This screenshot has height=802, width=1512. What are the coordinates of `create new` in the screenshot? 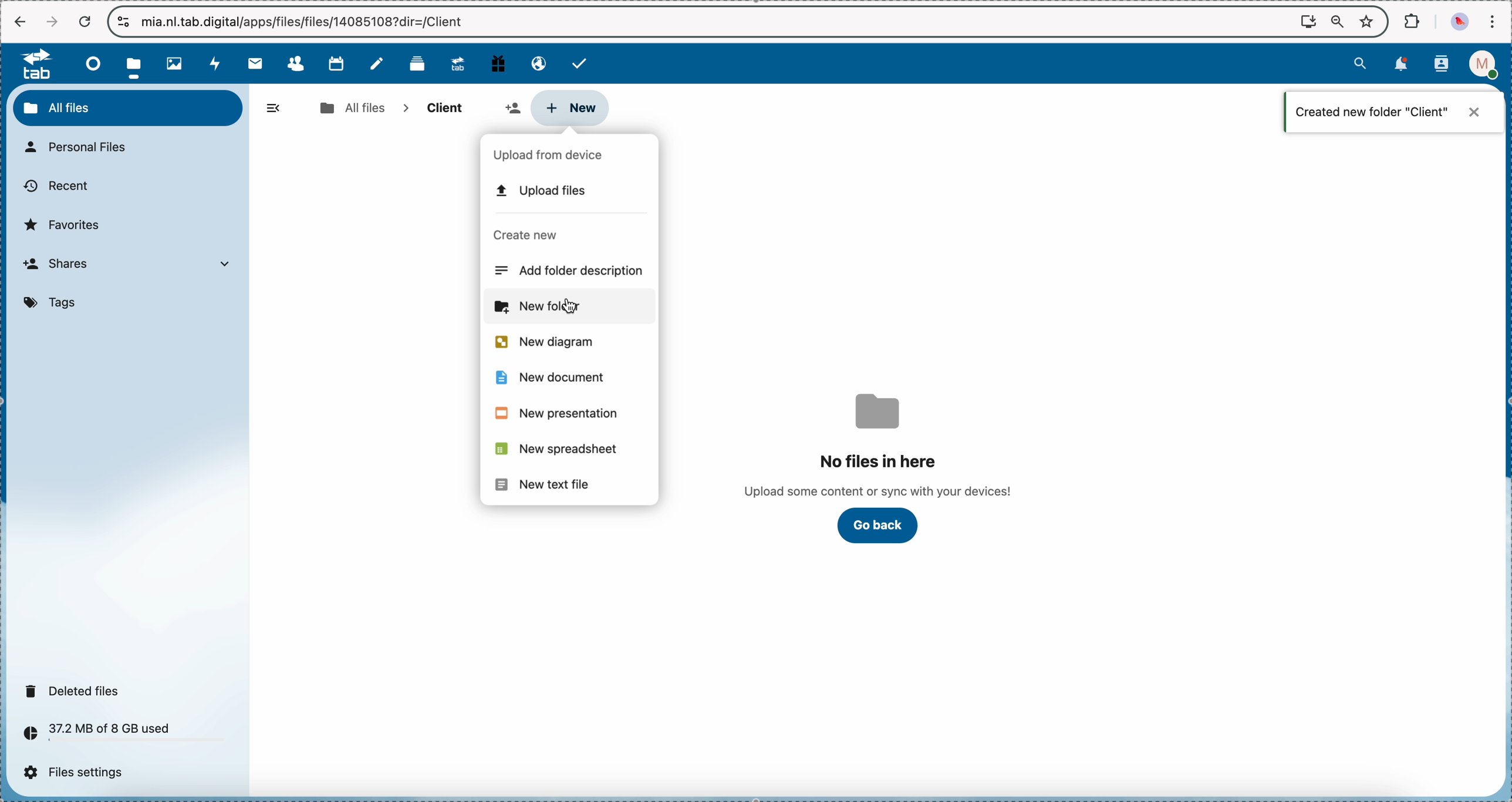 It's located at (525, 235).